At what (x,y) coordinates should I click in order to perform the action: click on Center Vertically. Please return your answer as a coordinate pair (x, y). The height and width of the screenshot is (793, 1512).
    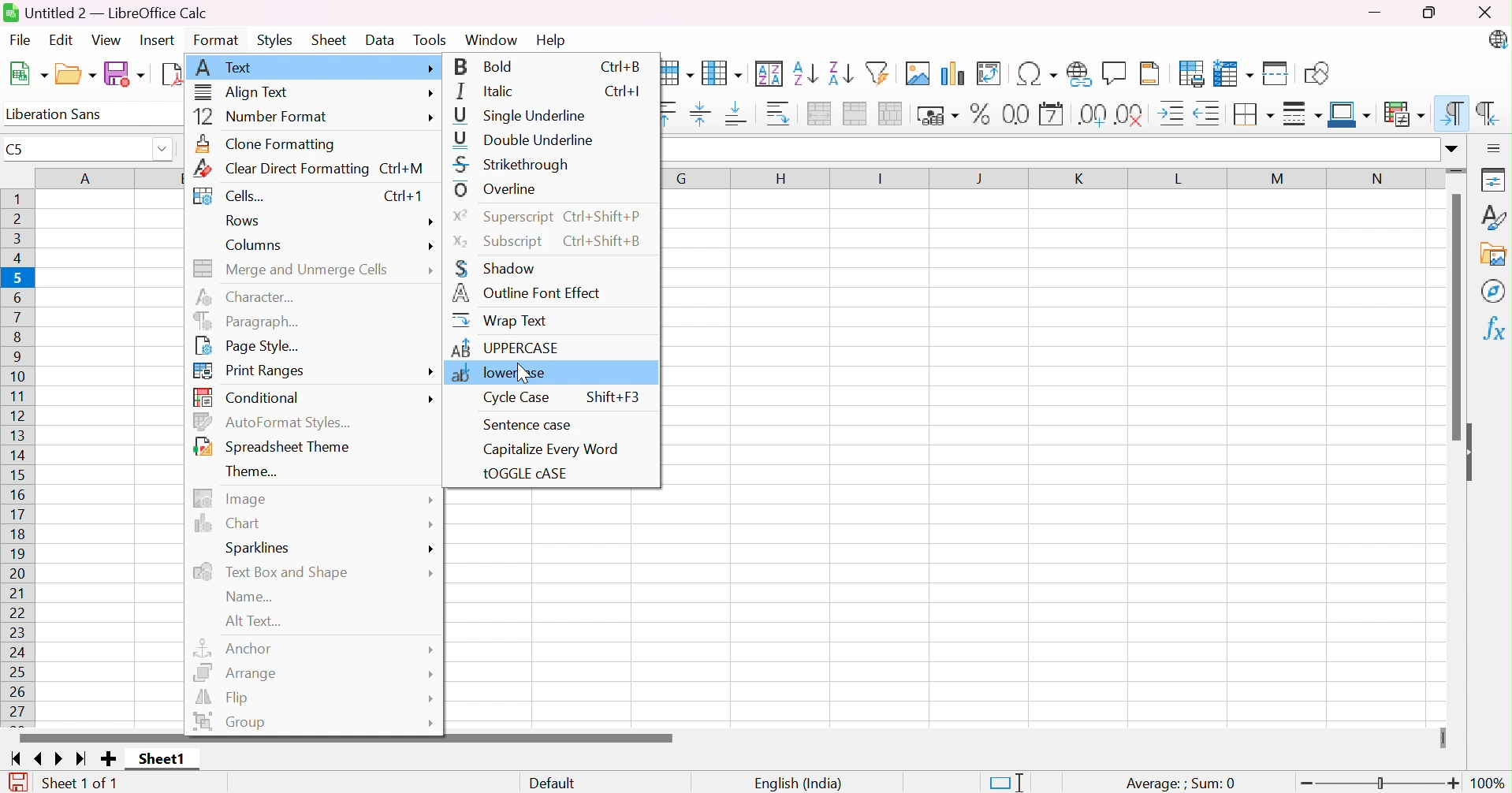
    Looking at the image, I should click on (705, 116).